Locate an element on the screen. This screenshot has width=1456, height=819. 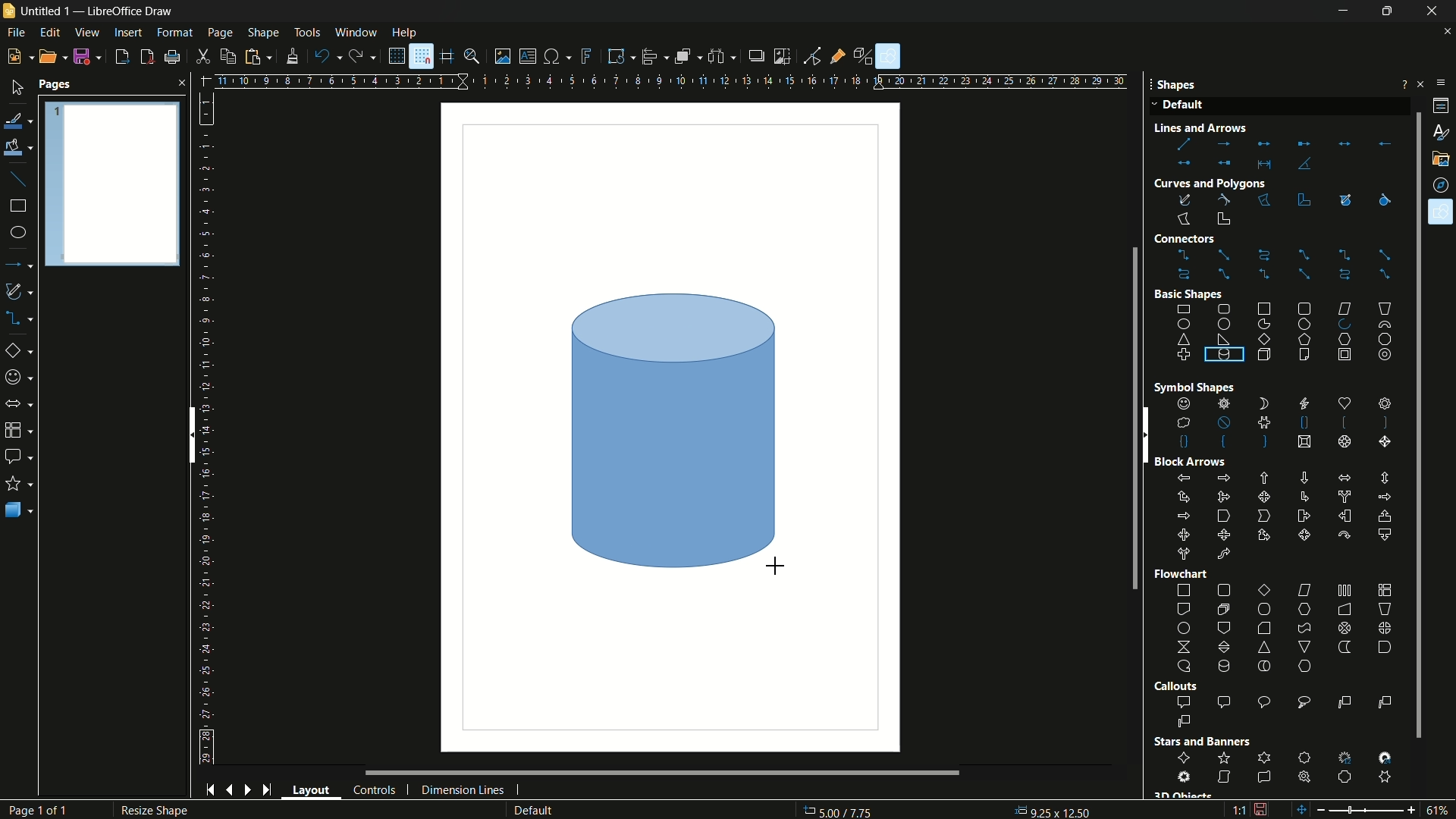
Connectors is located at coordinates (1209, 239).